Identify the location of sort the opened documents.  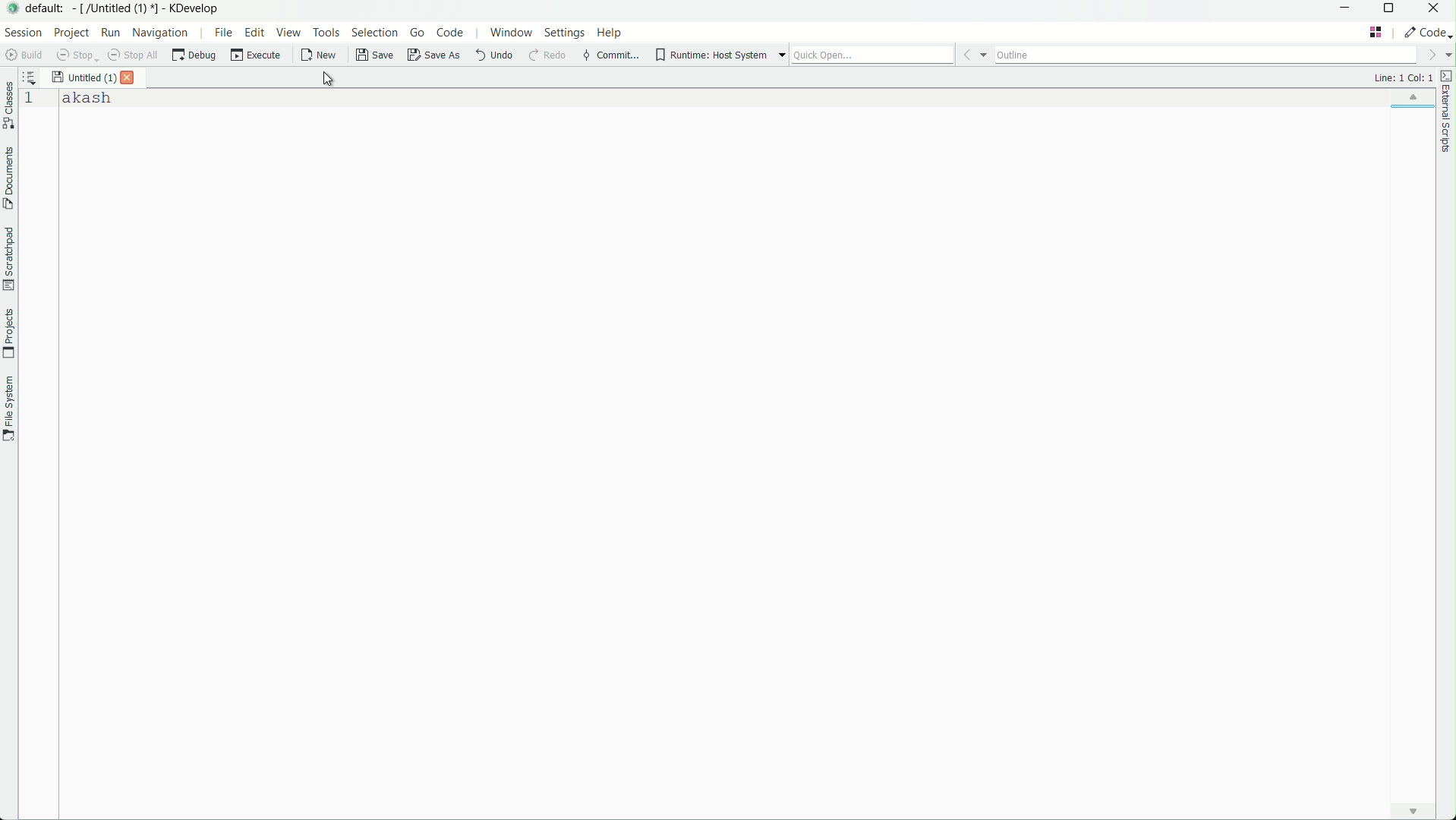
(30, 77).